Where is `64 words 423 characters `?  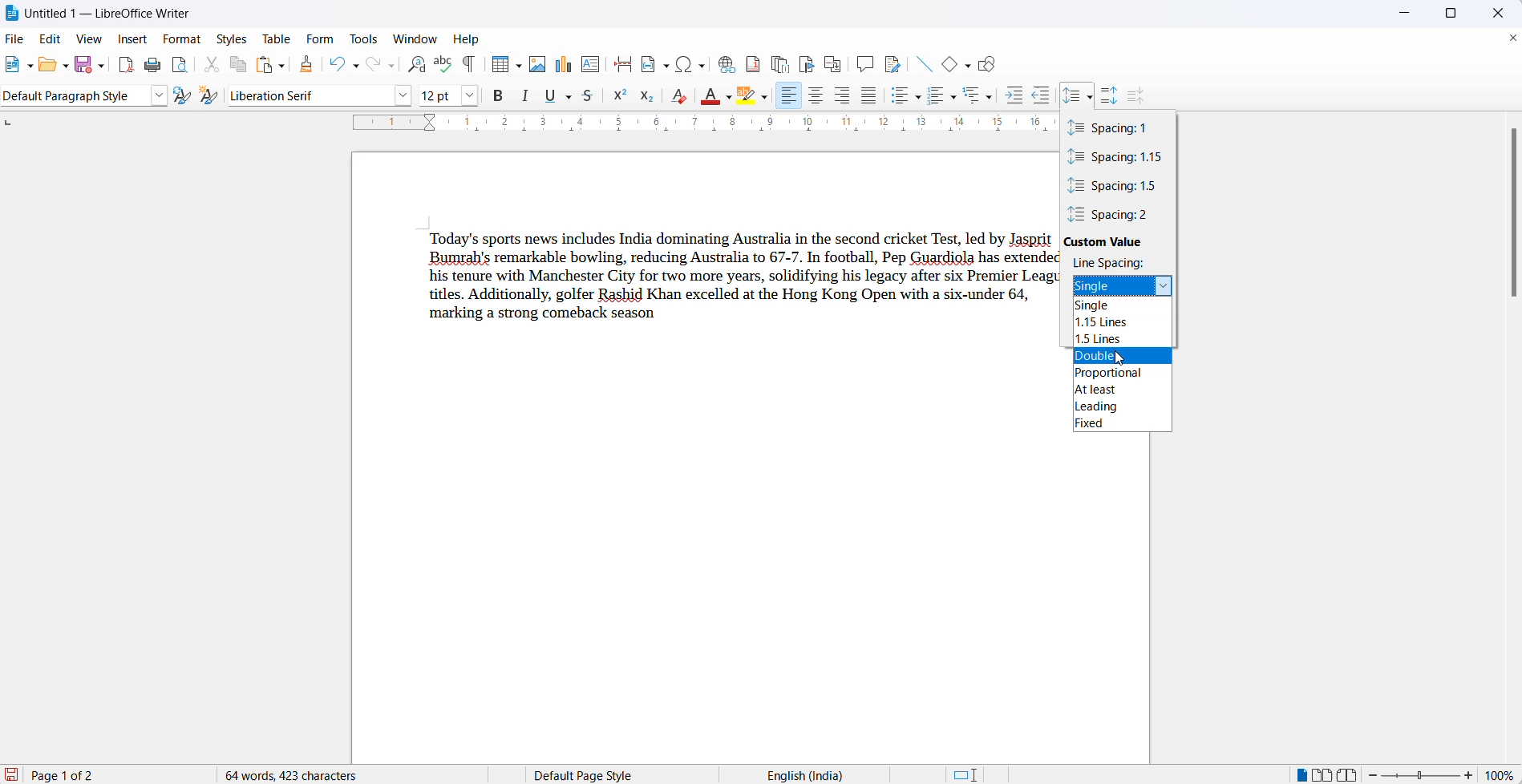 64 words 423 characters  is located at coordinates (300, 774).